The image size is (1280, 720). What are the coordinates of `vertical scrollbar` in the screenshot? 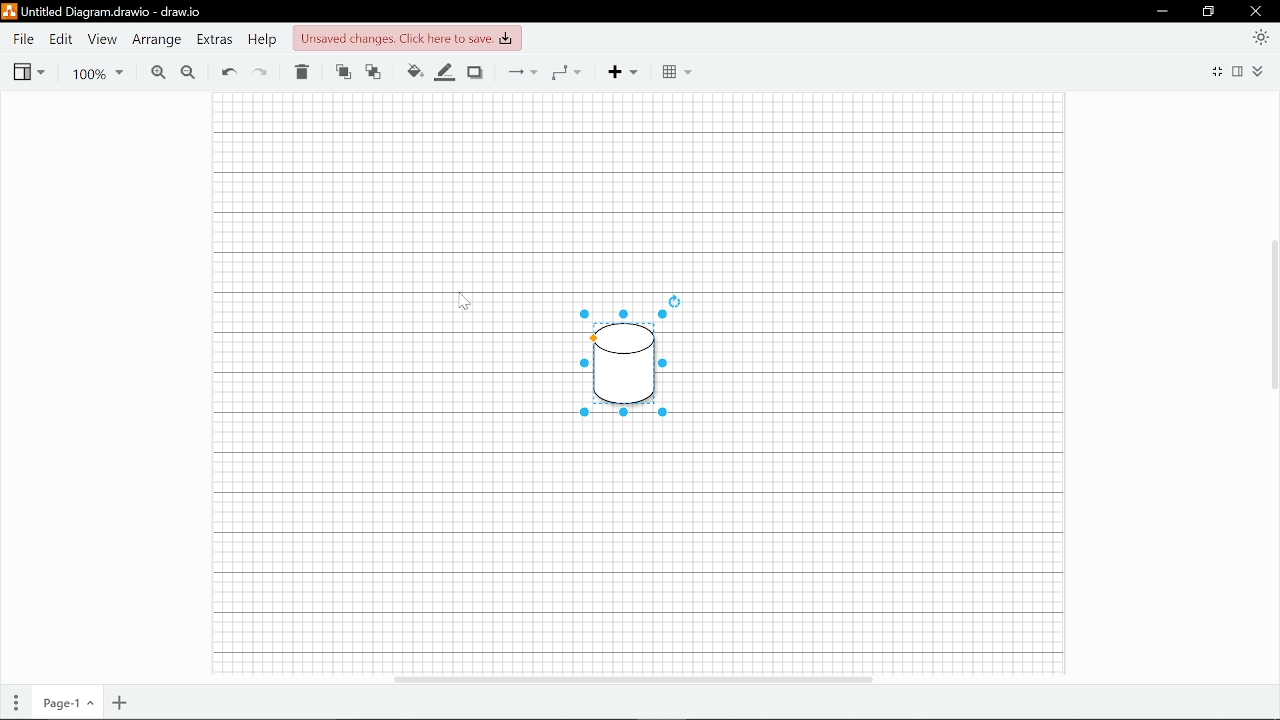 It's located at (1272, 313).